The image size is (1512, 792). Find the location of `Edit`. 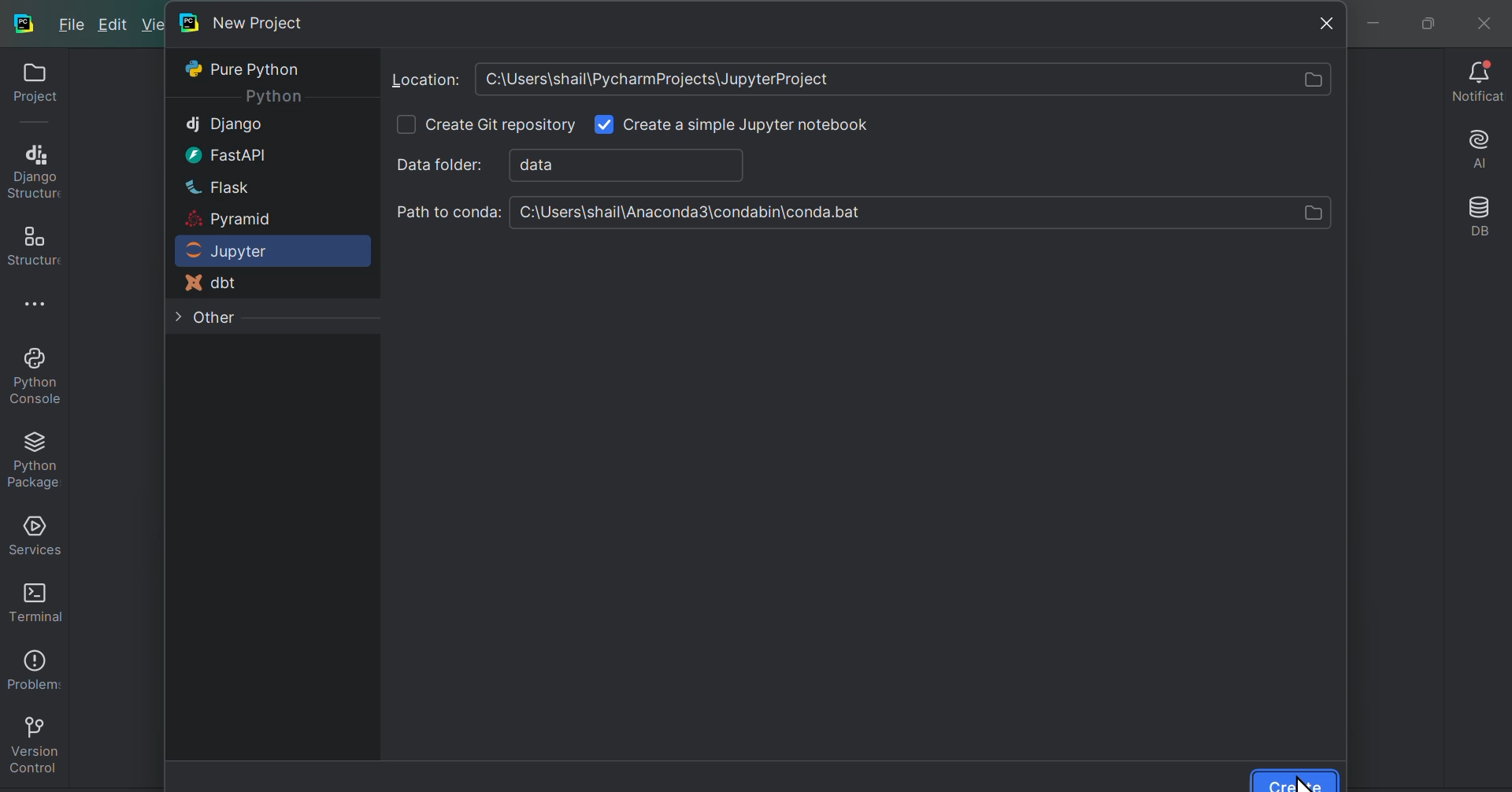

Edit is located at coordinates (113, 25).